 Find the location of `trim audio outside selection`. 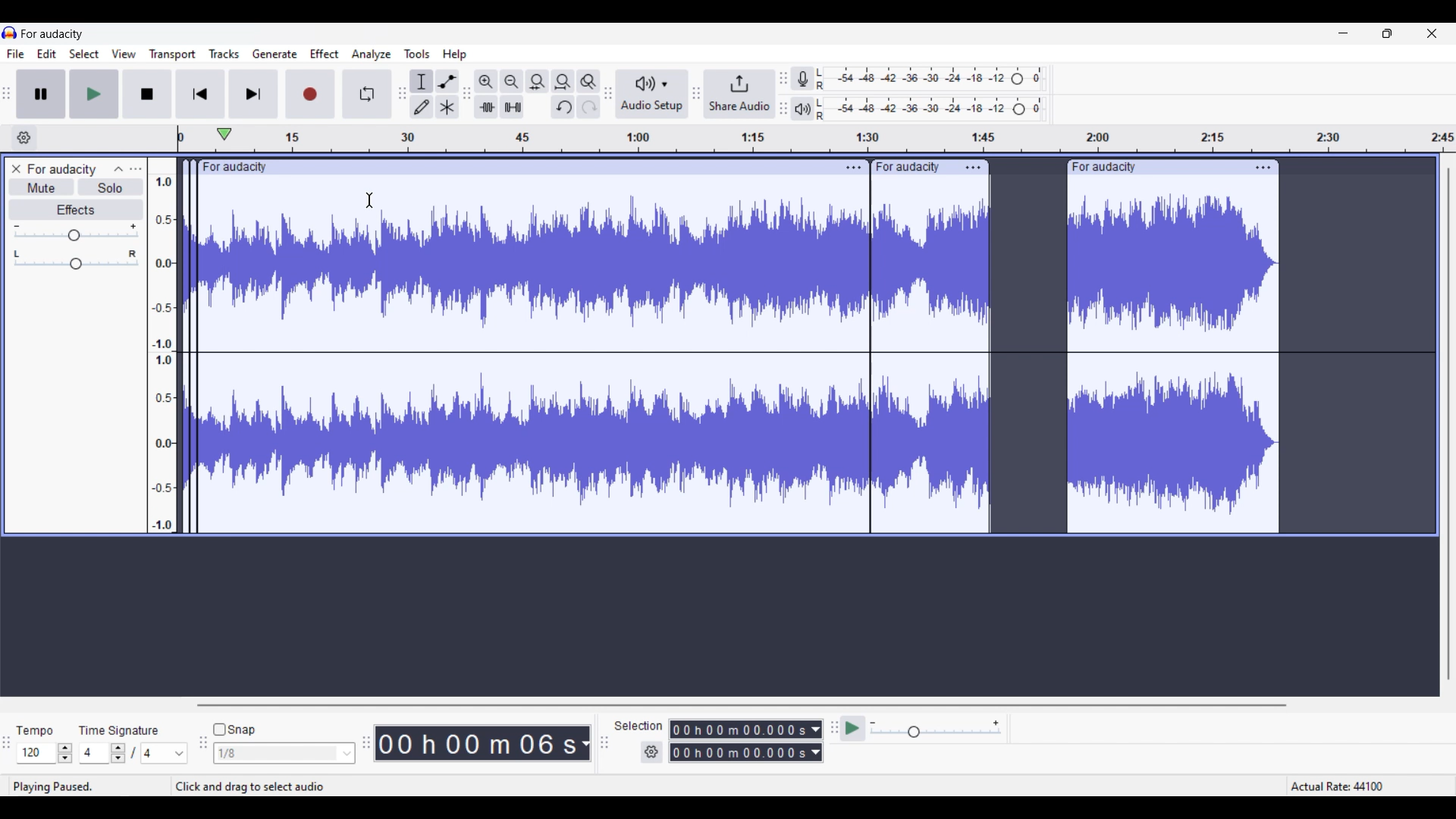

trim audio outside selection is located at coordinates (486, 107).